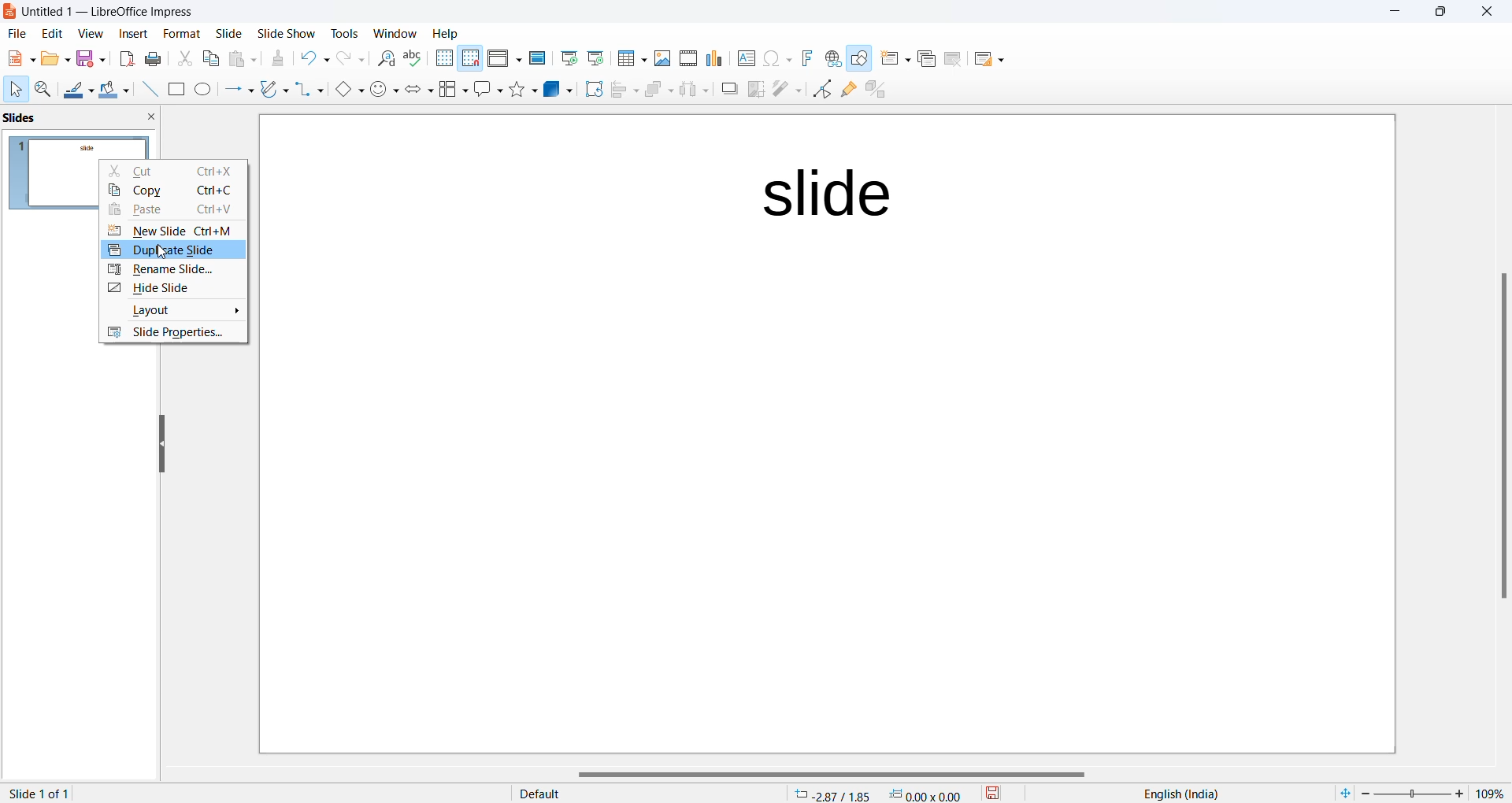 This screenshot has height=803, width=1512. What do you see at coordinates (595, 60) in the screenshot?
I see `Start from current slide` at bounding box center [595, 60].